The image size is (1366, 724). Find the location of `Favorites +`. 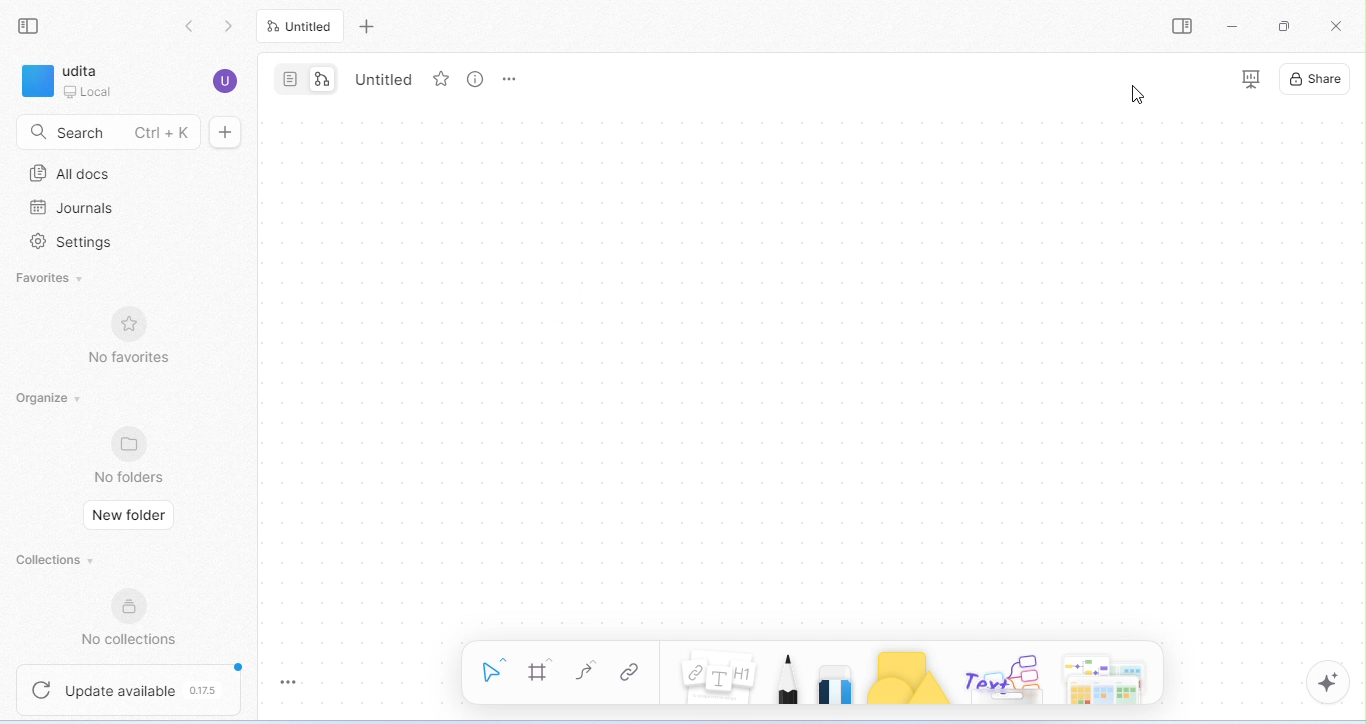

Favorites + is located at coordinates (51, 278).